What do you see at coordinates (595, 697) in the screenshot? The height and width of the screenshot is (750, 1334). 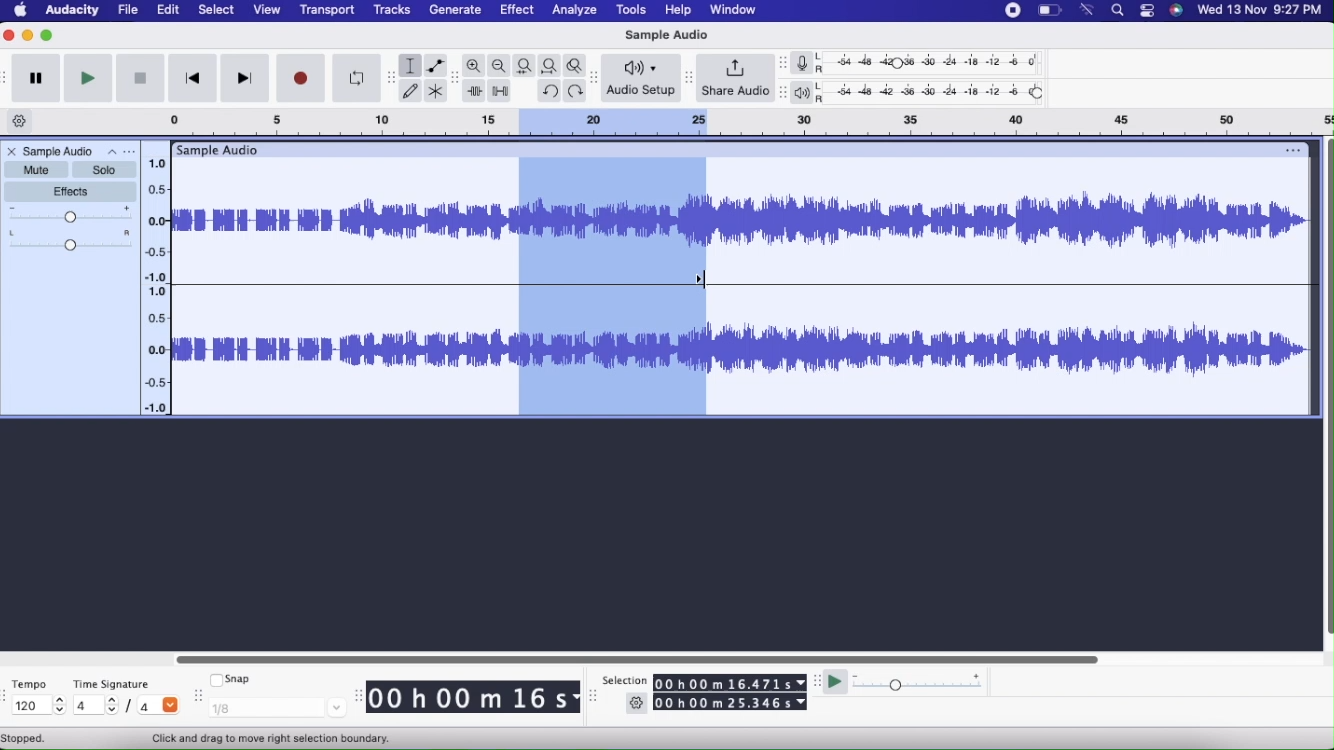 I see `move toolbar` at bounding box center [595, 697].